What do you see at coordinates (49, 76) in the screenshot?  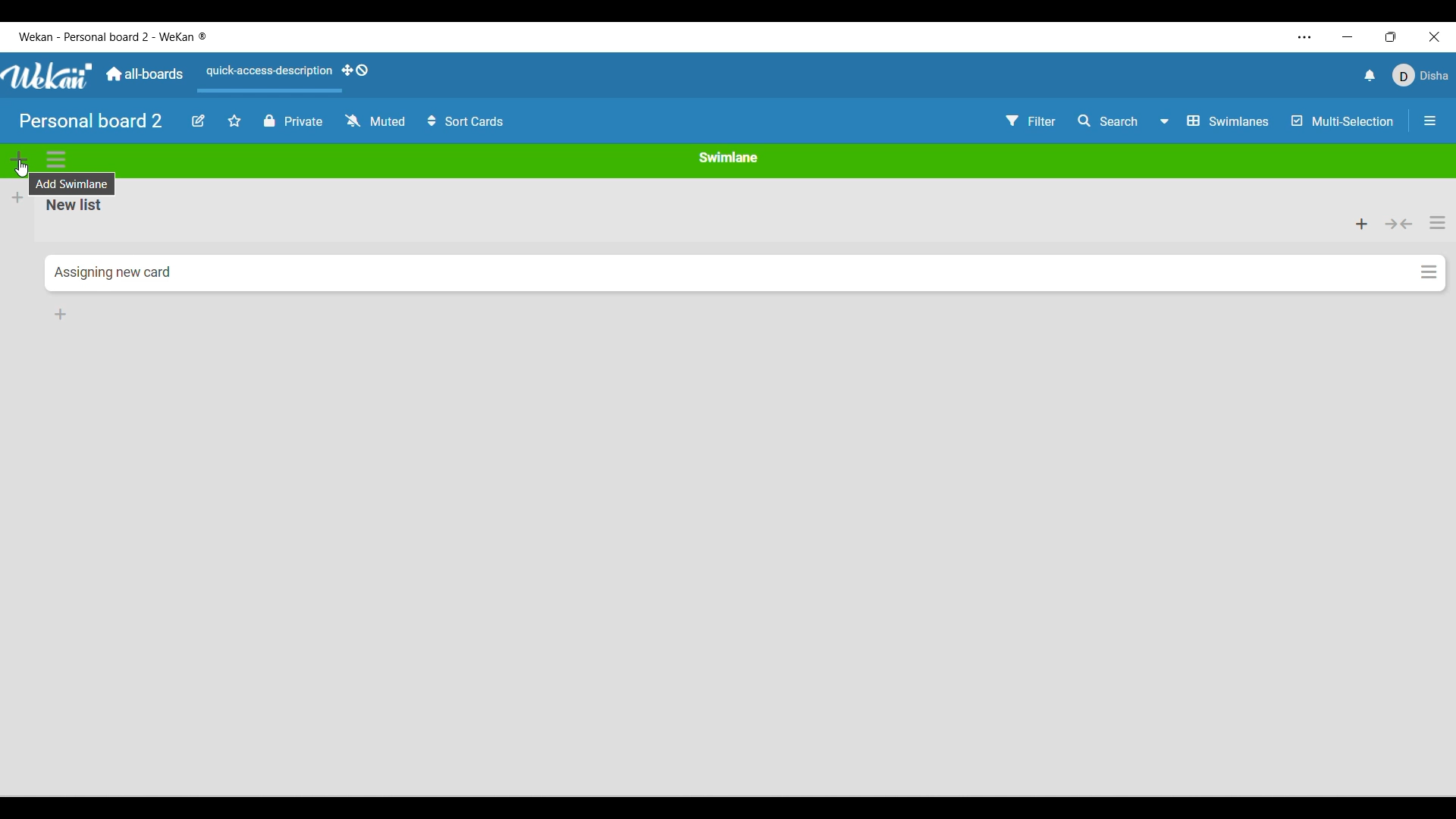 I see `Software logo` at bounding box center [49, 76].